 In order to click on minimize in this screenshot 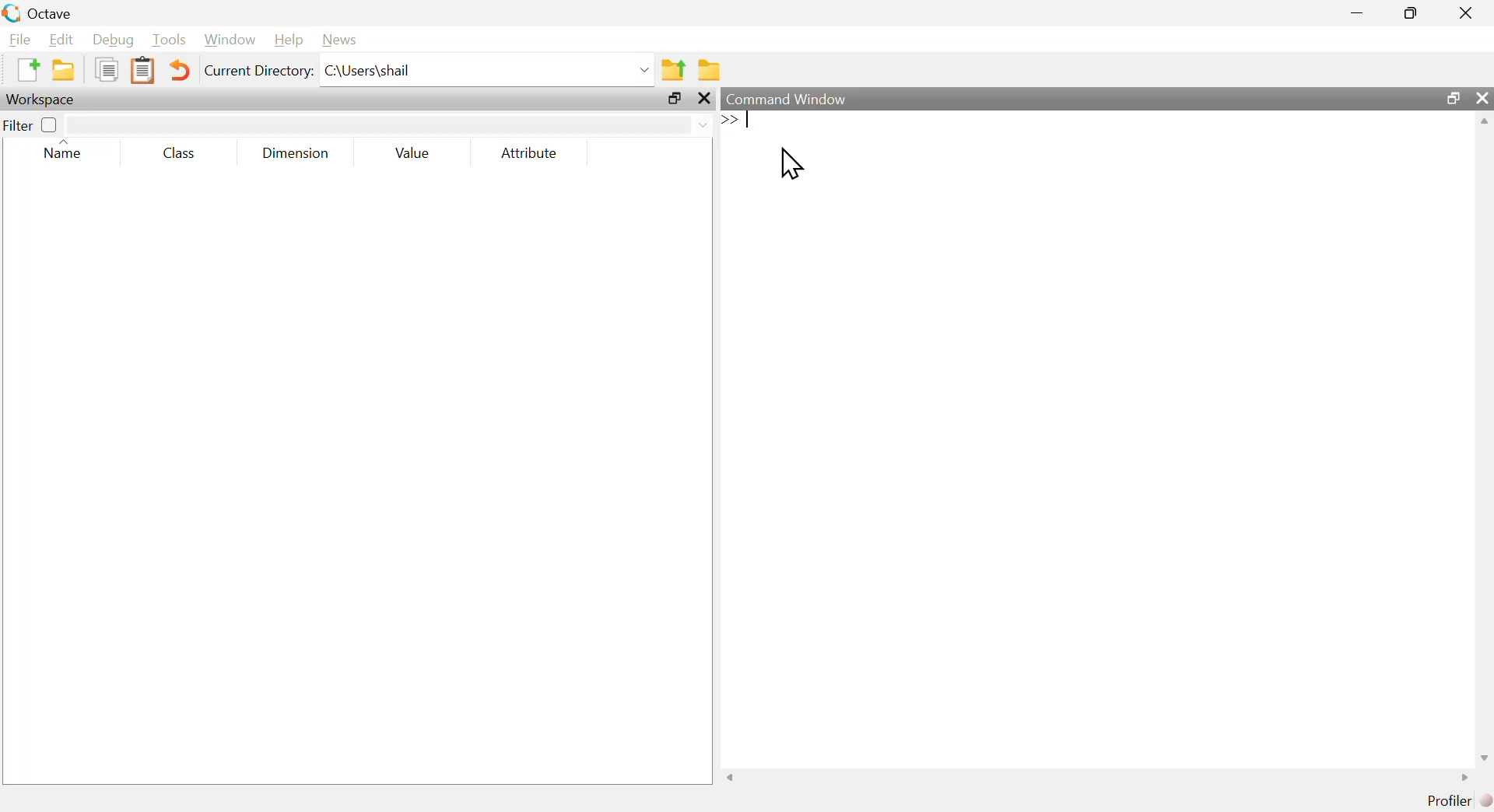, I will do `click(1360, 15)`.